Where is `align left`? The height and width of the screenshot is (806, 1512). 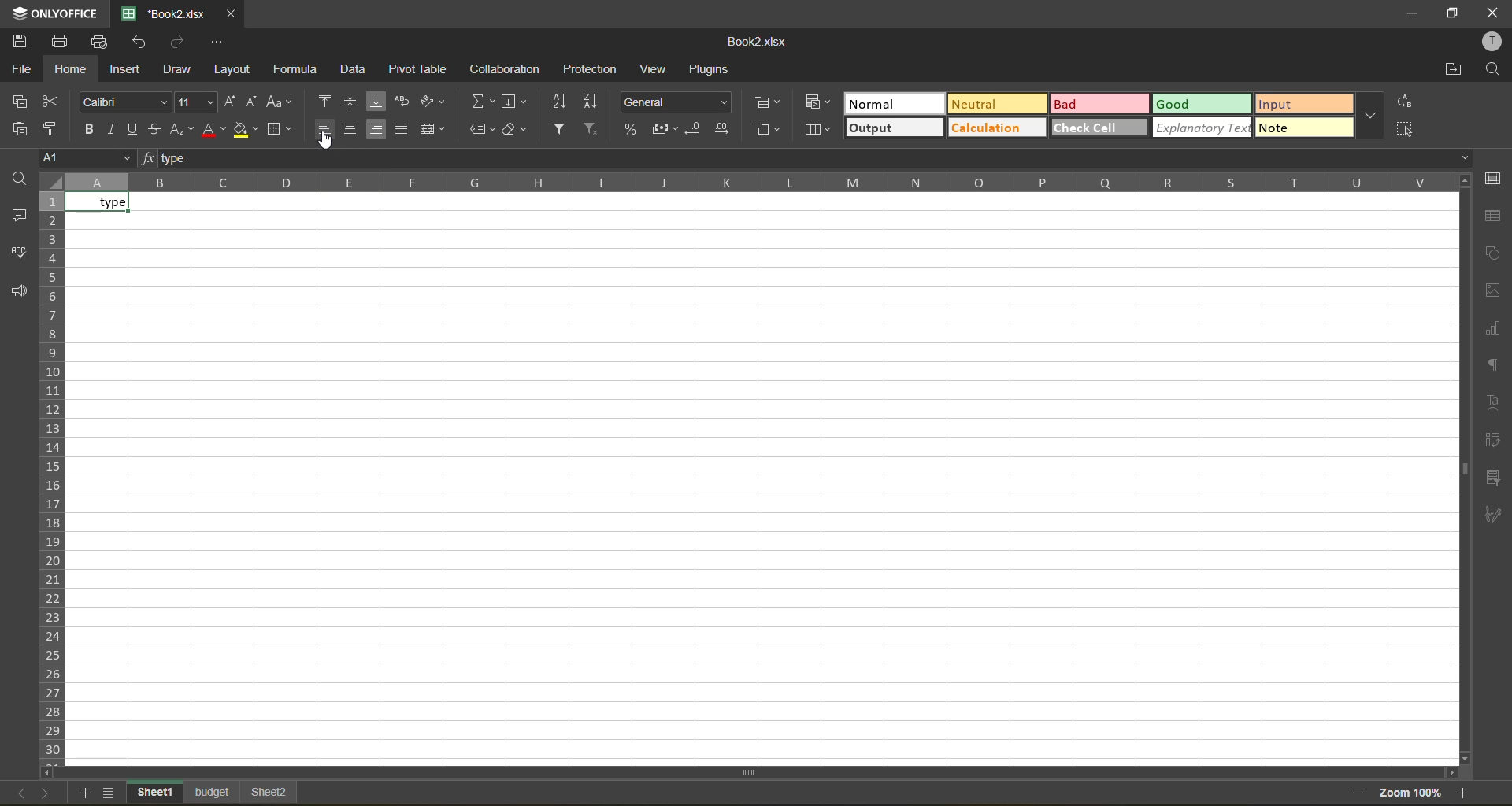 align left is located at coordinates (324, 128).